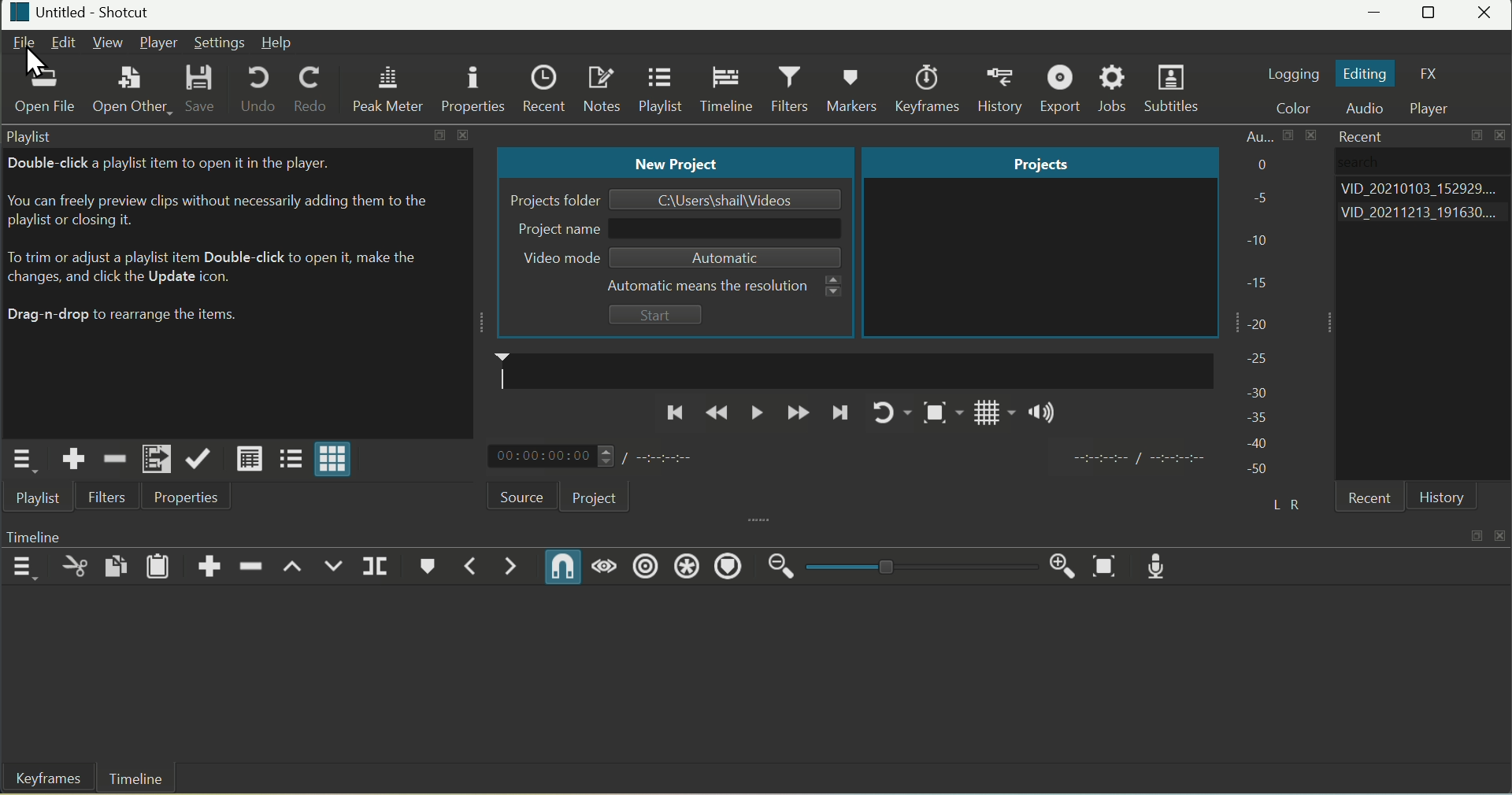 The width and height of the screenshot is (1512, 795). I want to click on Ripple, so click(646, 567).